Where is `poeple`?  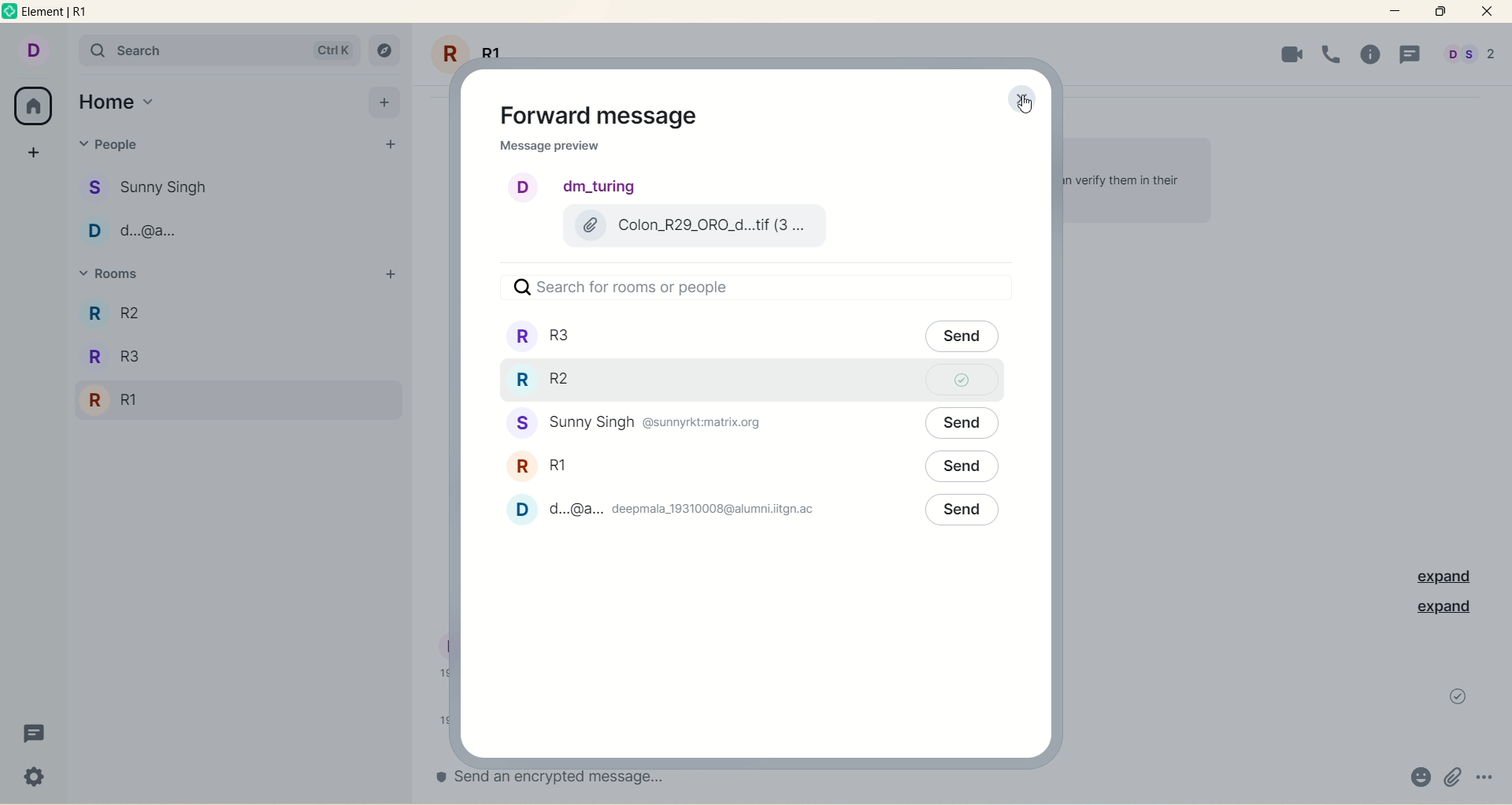 poeple is located at coordinates (146, 234).